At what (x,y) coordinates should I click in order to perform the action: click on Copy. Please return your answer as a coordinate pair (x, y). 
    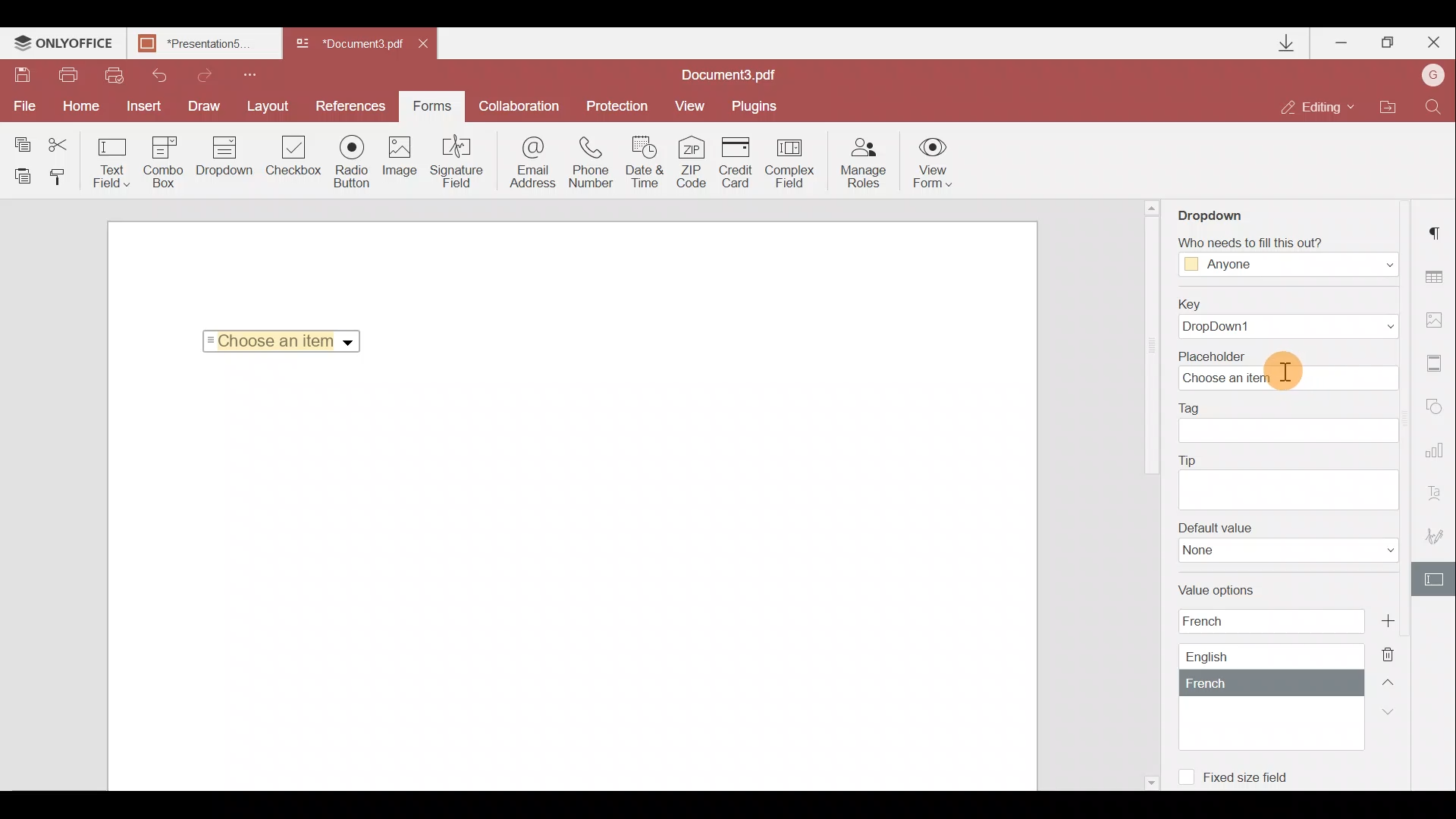
    Looking at the image, I should click on (21, 141).